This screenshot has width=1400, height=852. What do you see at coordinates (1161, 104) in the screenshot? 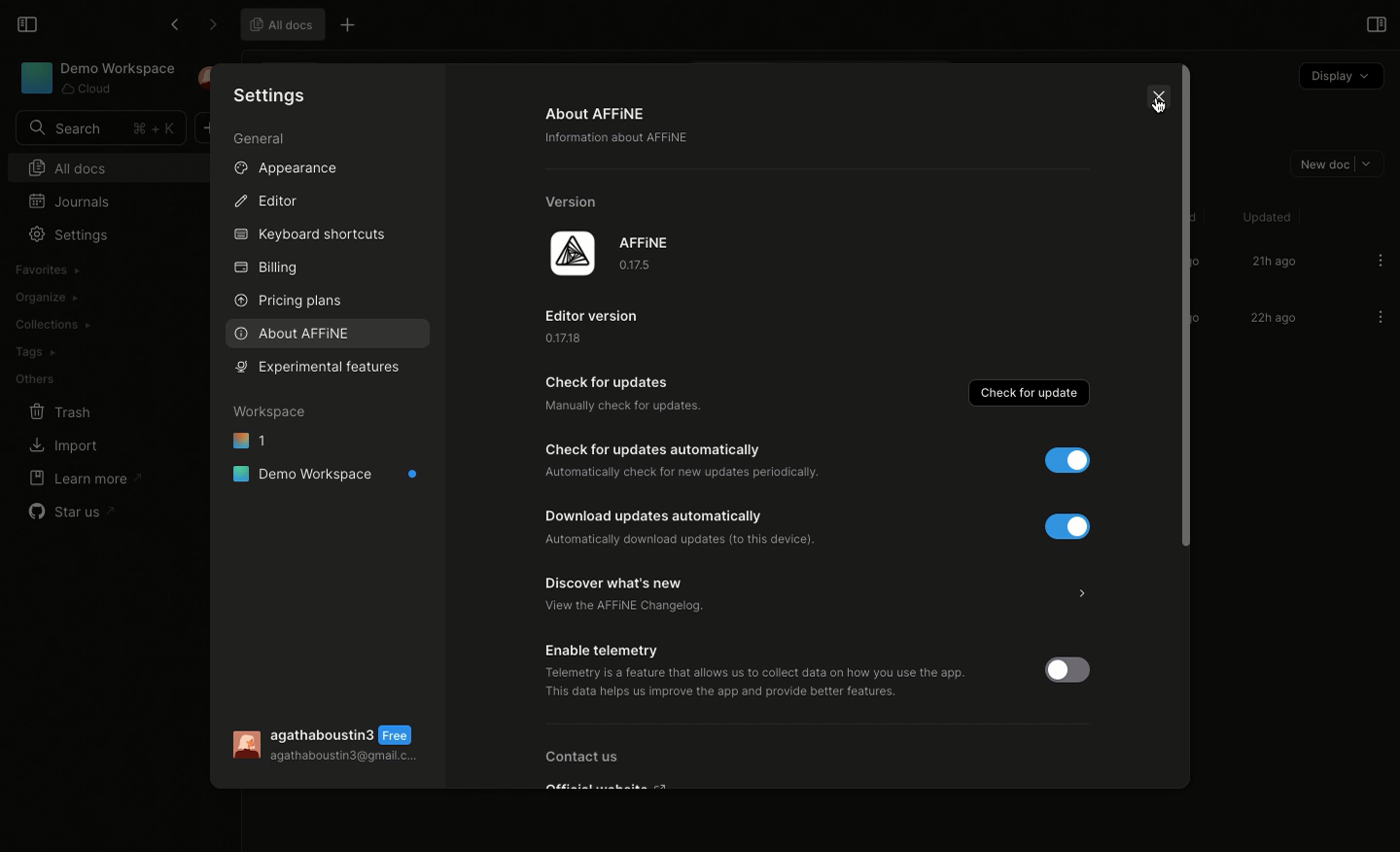
I see `Closing settings` at bounding box center [1161, 104].